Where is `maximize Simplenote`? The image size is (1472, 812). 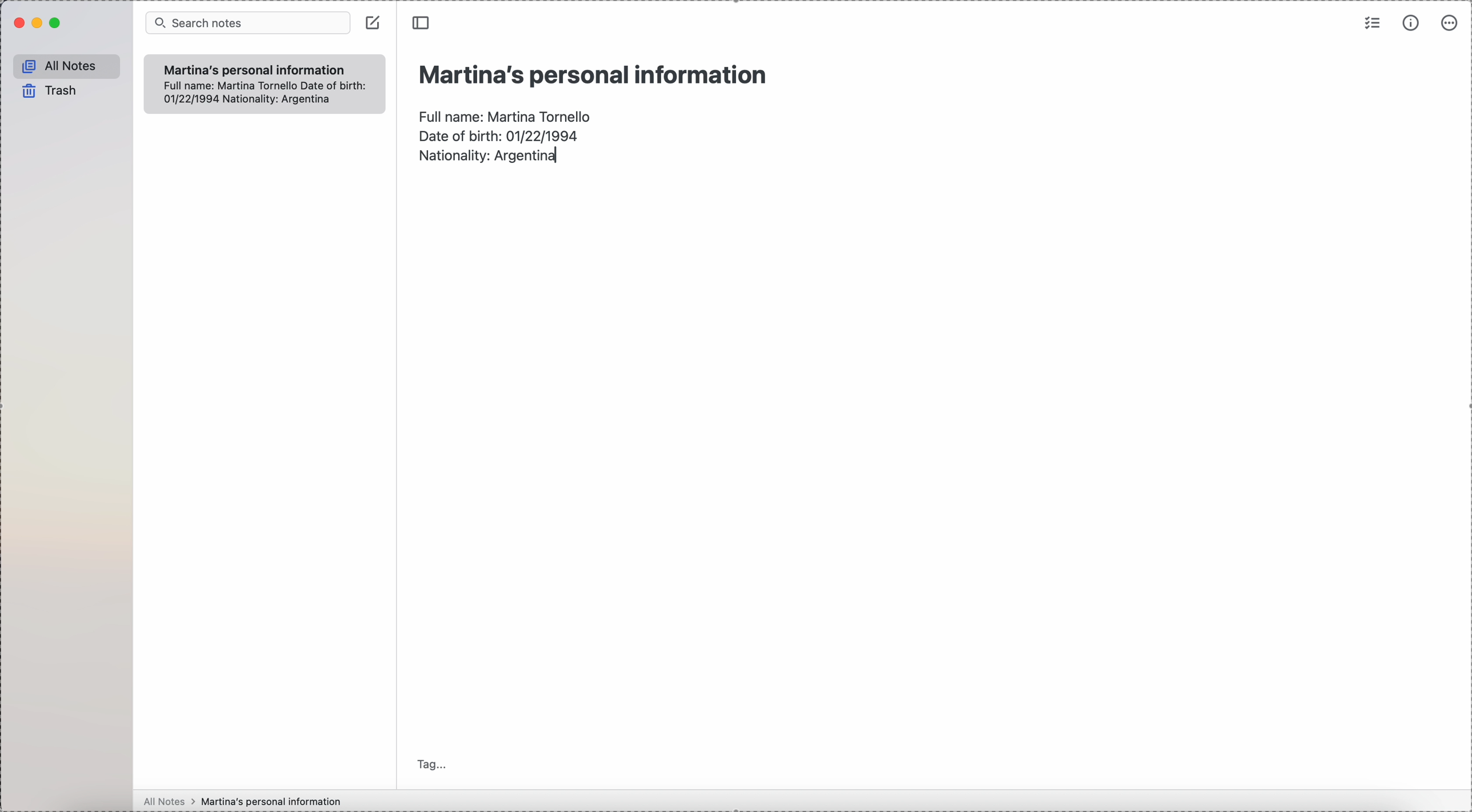 maximize Simplenote is located at coordinates (56, 23).